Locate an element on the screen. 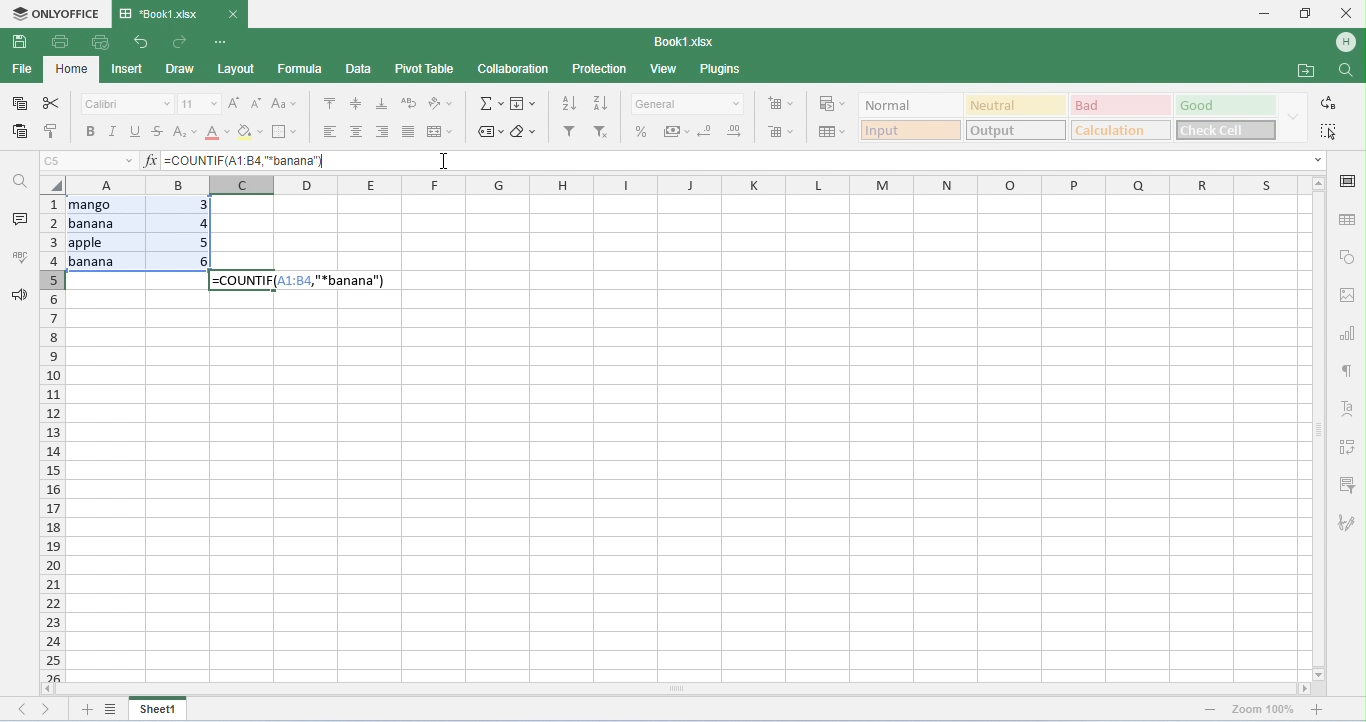 Image resolution: width=1366 pixels, height=722 pixels. protection is located at coordinates (599, 69).